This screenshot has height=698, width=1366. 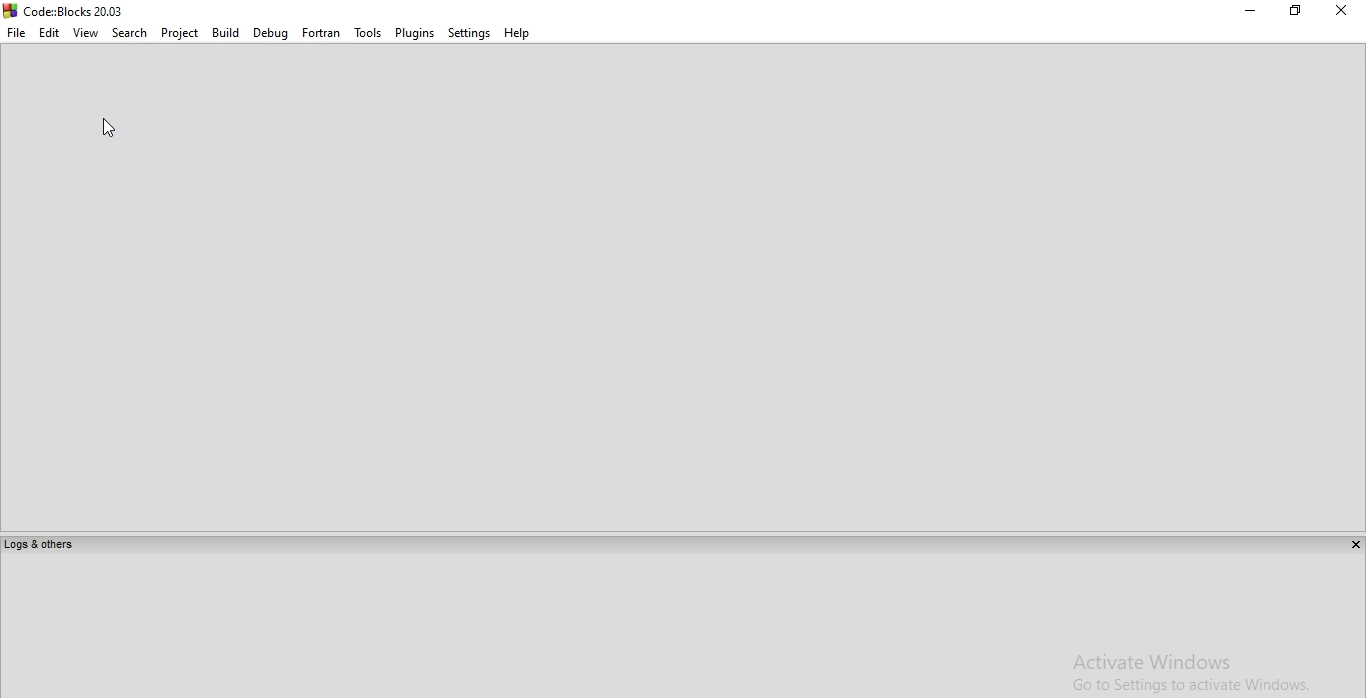 What do you see at coordinates (179, 32) in the screenshot?
I see `Project ` at bounding box center [179, 32].